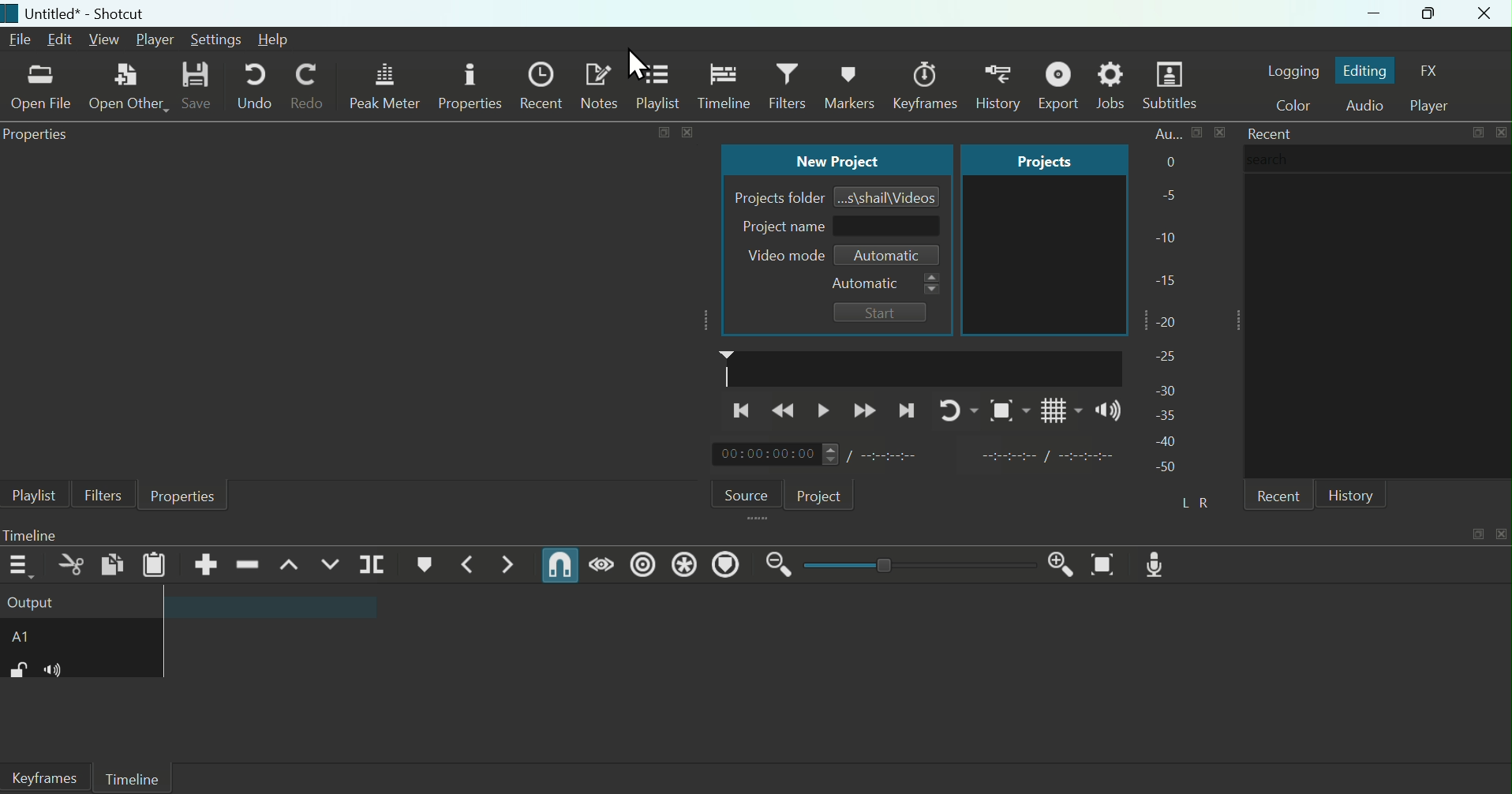 The height and width of the screenshot is (794, 1512). I want to click on Logging, so click(1293, 68).